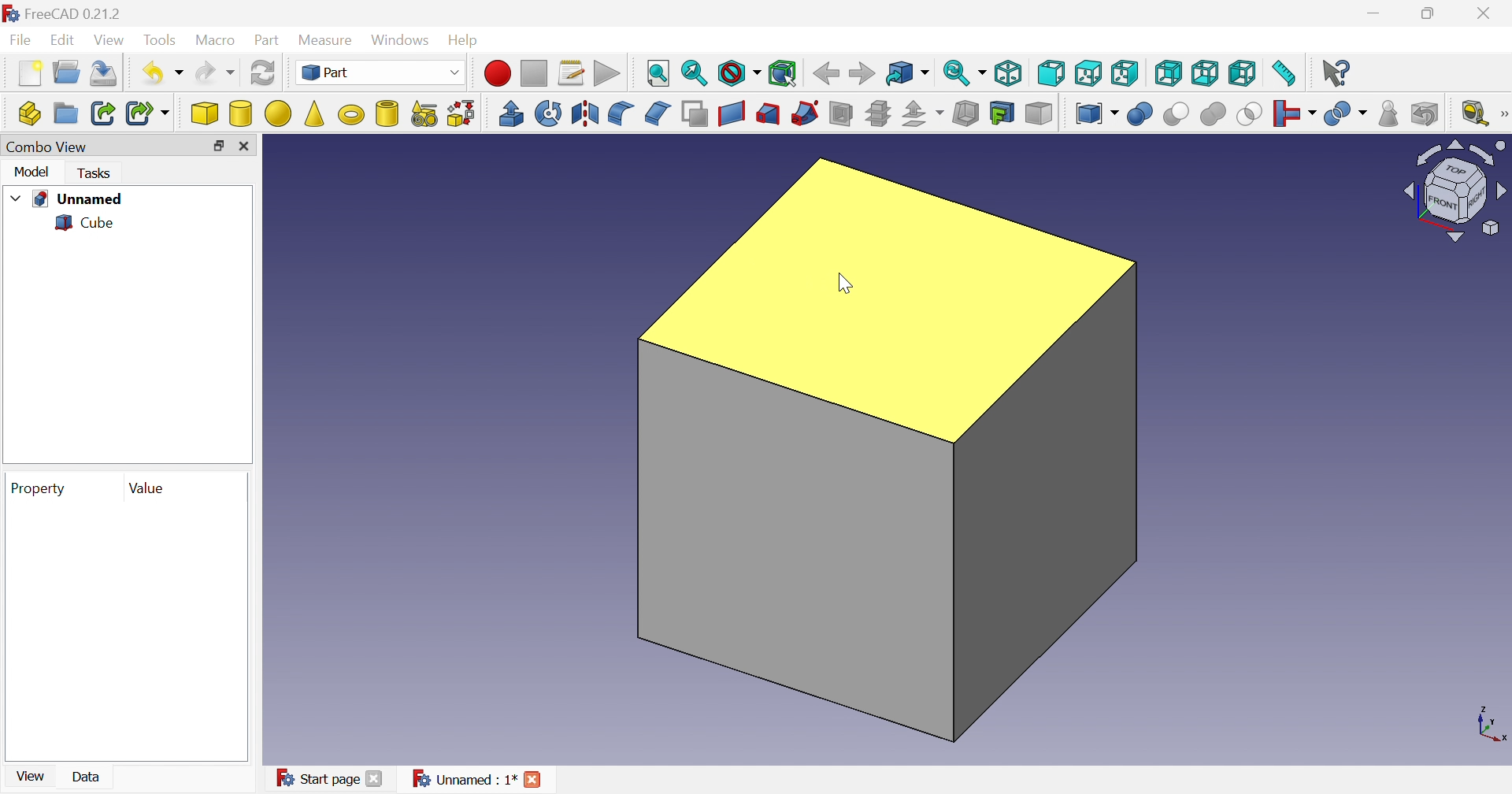 The width and height of the screenshot is (1512, 794). What do you see at coordinates (1206, 72) in the screenshot?
I see `Bottom` at bounding box center [1206, 72].